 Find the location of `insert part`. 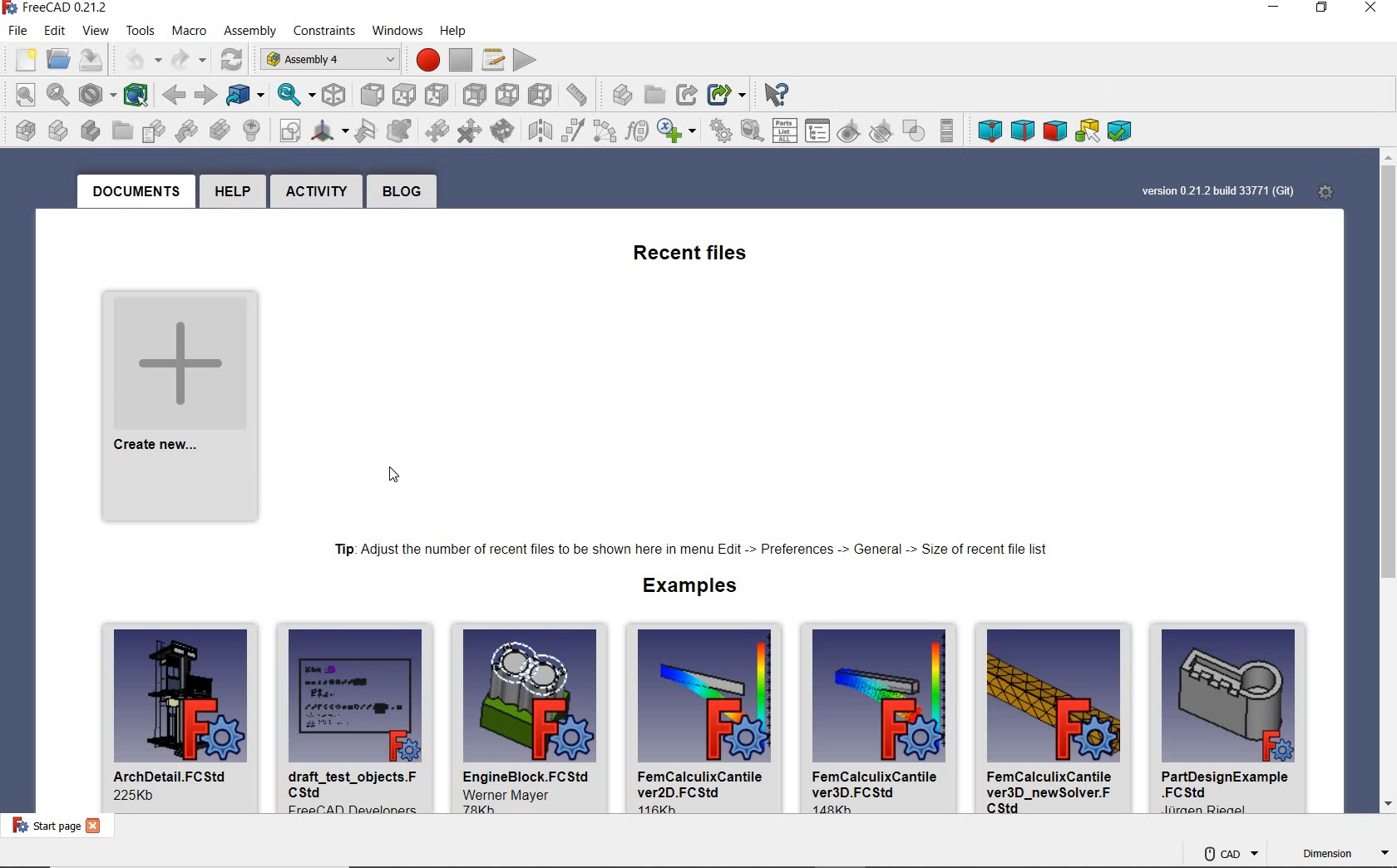

insert part is located at coordinates (185, 130).